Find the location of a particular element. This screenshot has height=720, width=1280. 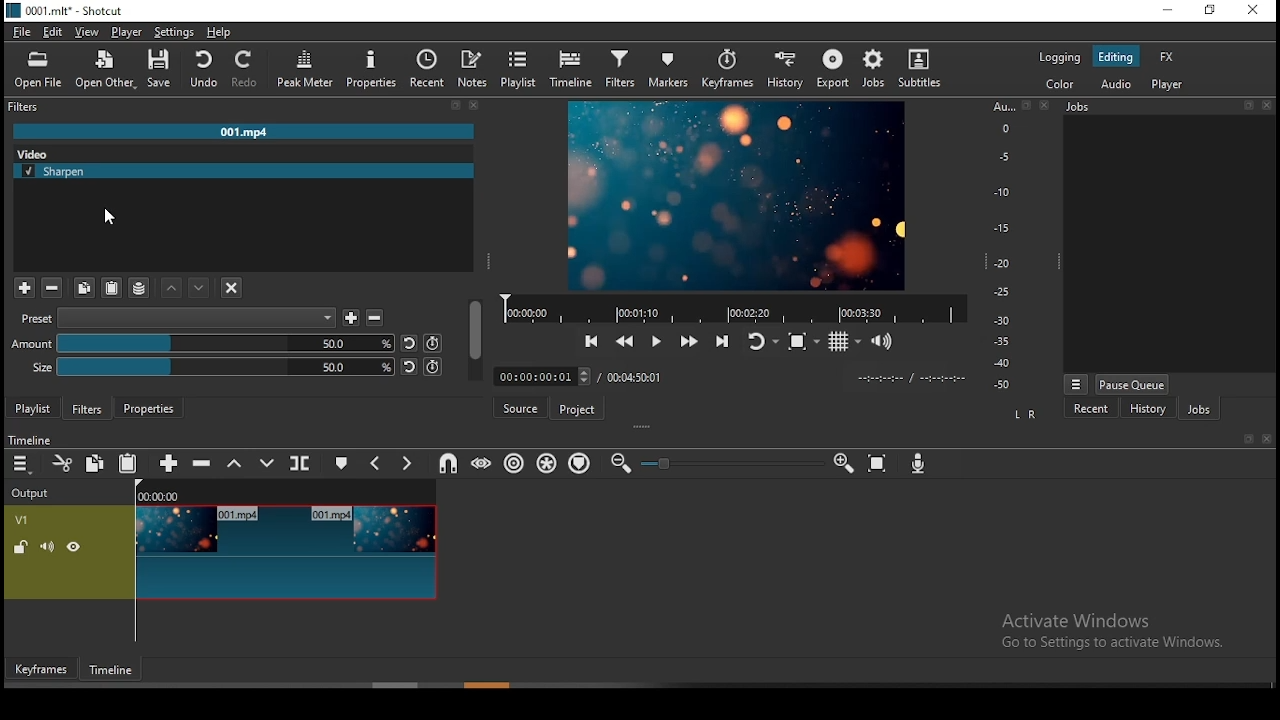

create/edit marker is located at coordinates (344, 463).